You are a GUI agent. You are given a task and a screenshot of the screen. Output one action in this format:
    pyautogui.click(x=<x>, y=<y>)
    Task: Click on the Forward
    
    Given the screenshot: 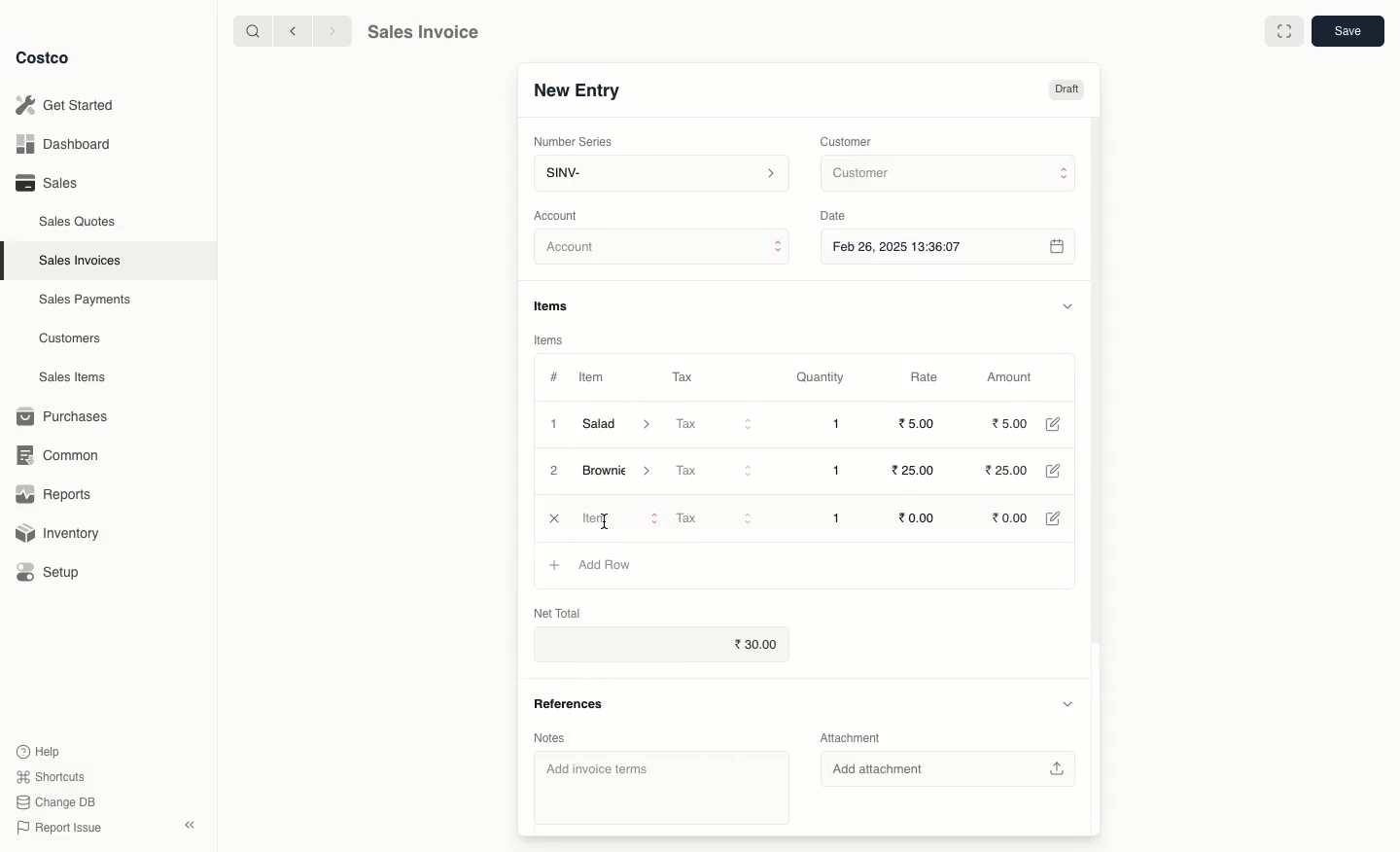 What is the action you would take?
    pyautogui.click(x=332, y=32)
    